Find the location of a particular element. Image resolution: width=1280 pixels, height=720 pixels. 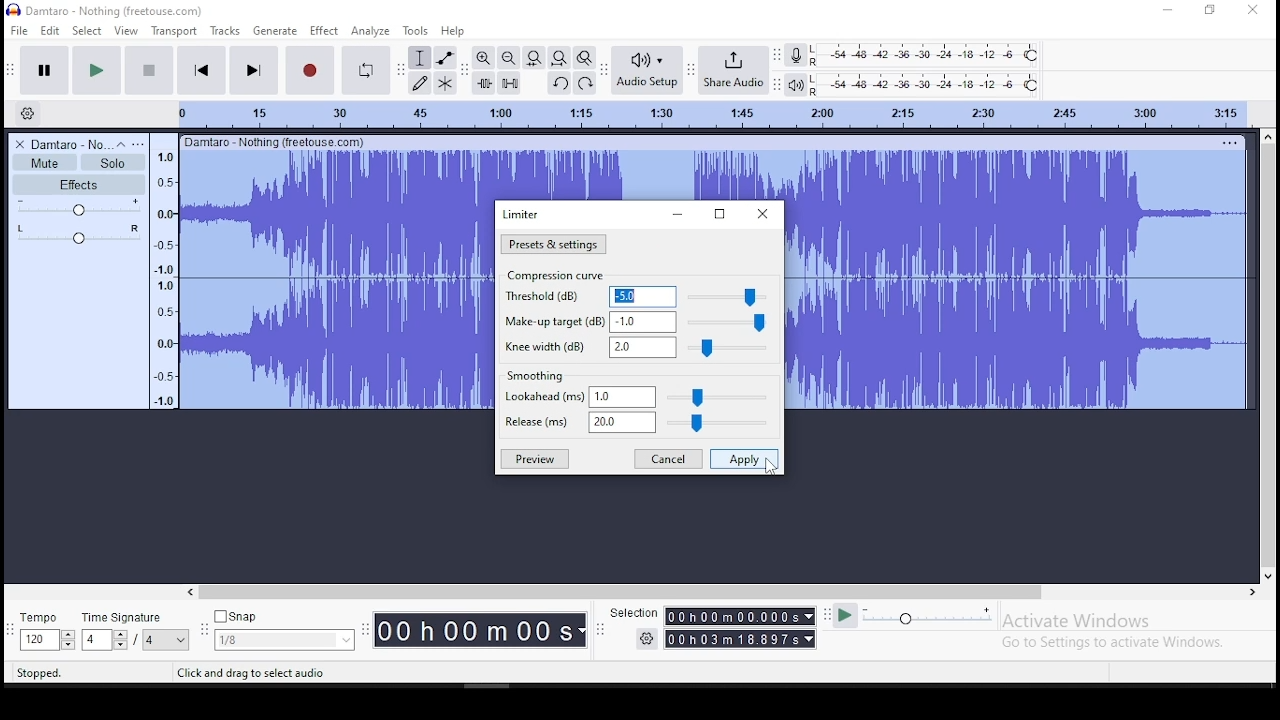

tempo is located at coordinates (44, 629).